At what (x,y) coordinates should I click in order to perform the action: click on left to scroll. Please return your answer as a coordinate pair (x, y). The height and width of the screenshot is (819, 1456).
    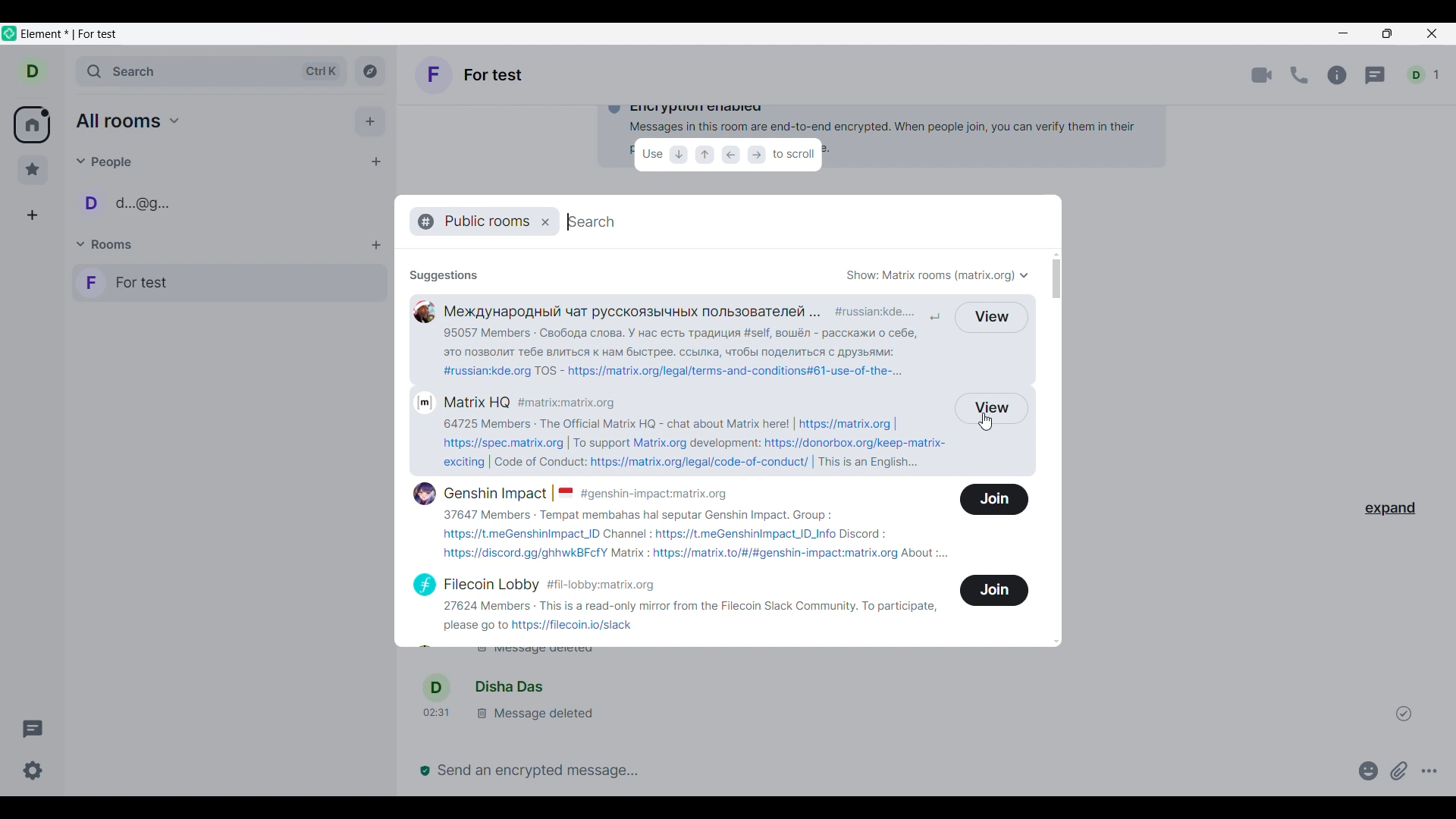
    Looking at the image, I should click on (730, 155).